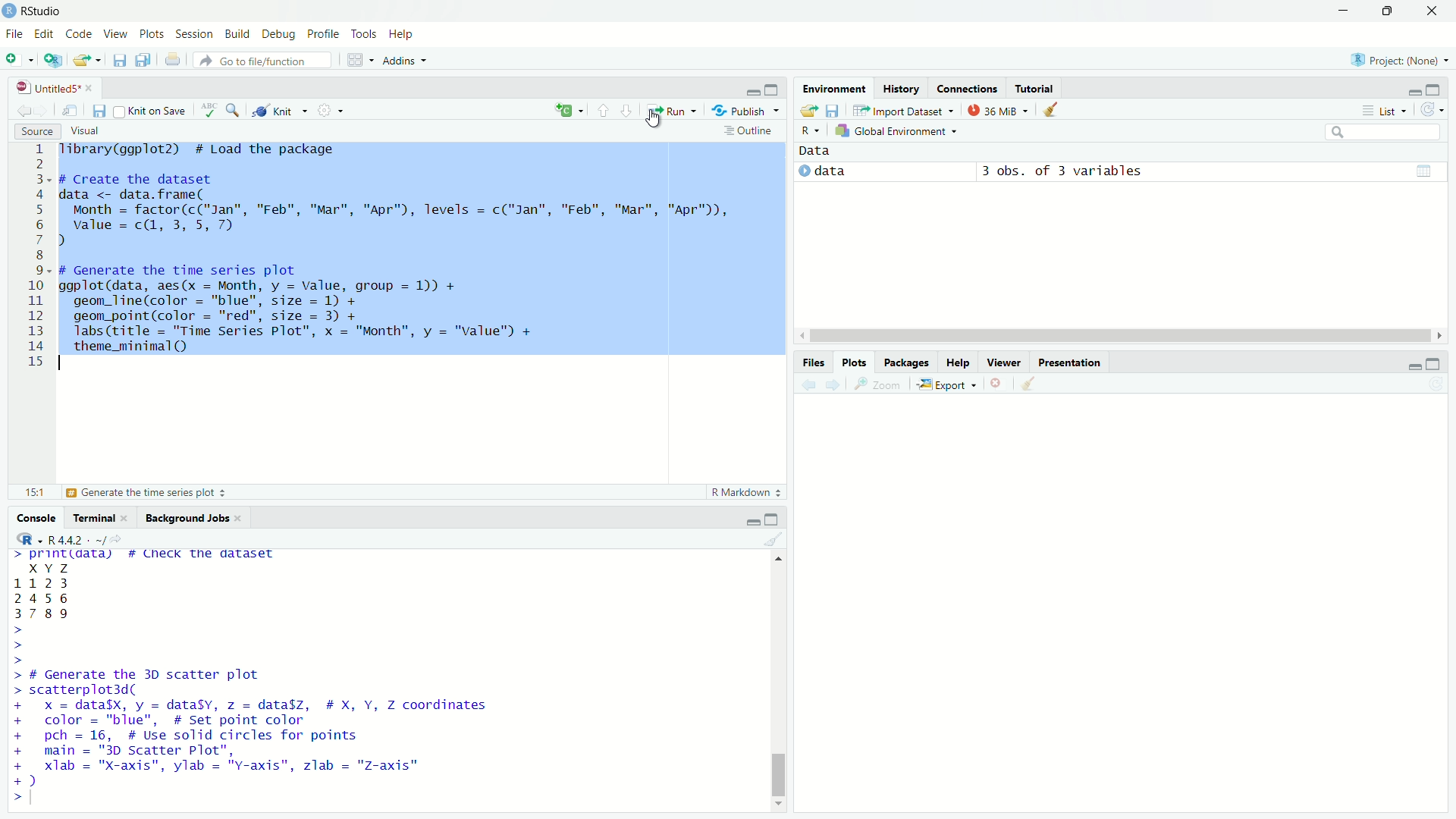 This screenshot has height=819, width=1456. Describe the element at coordinates (1053, 111) in the screenshot. I see `clear objects from the workspace` at that location.